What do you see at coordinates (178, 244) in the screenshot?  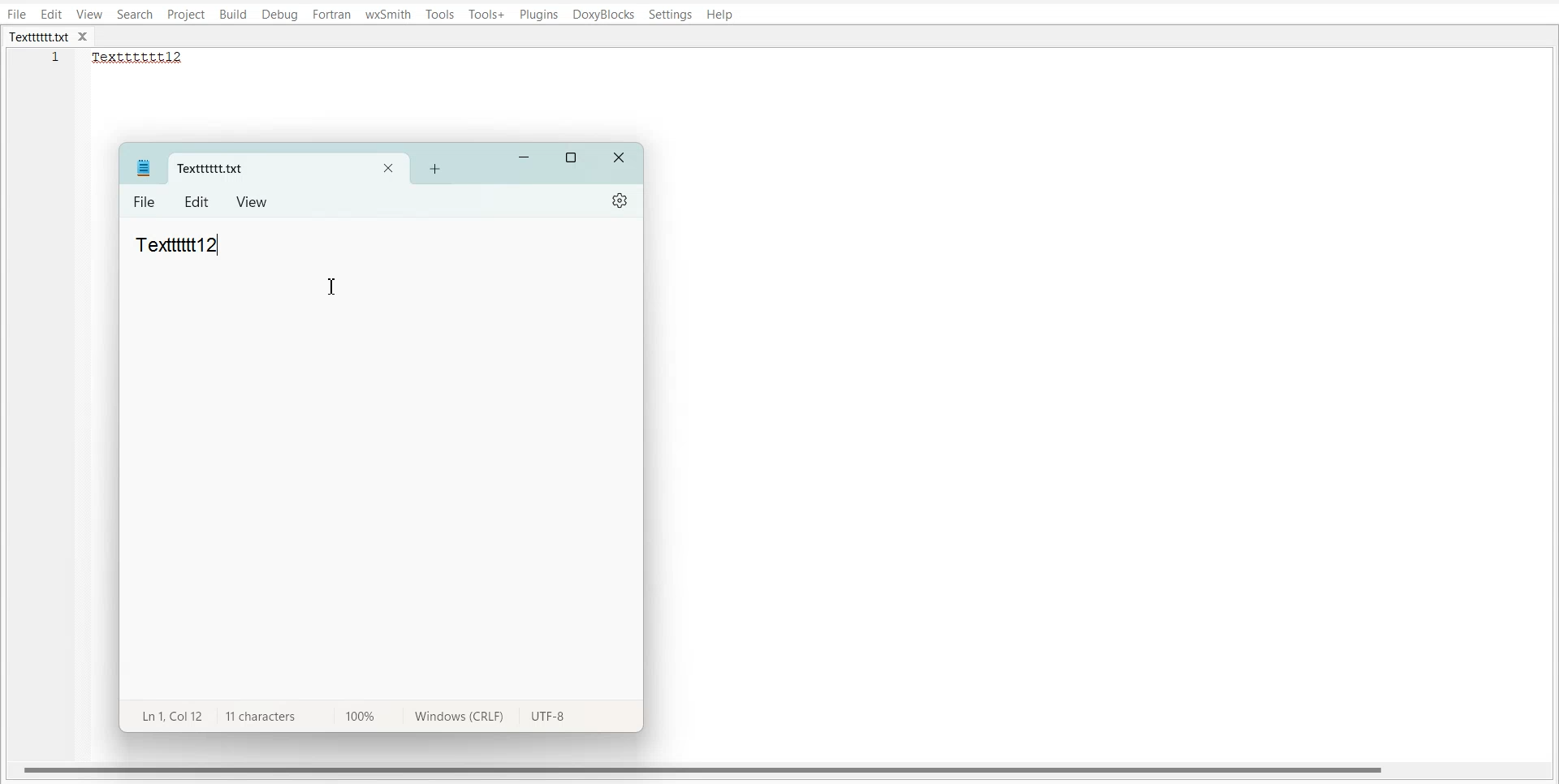 I see `Text` at bounding box center [178, 244].